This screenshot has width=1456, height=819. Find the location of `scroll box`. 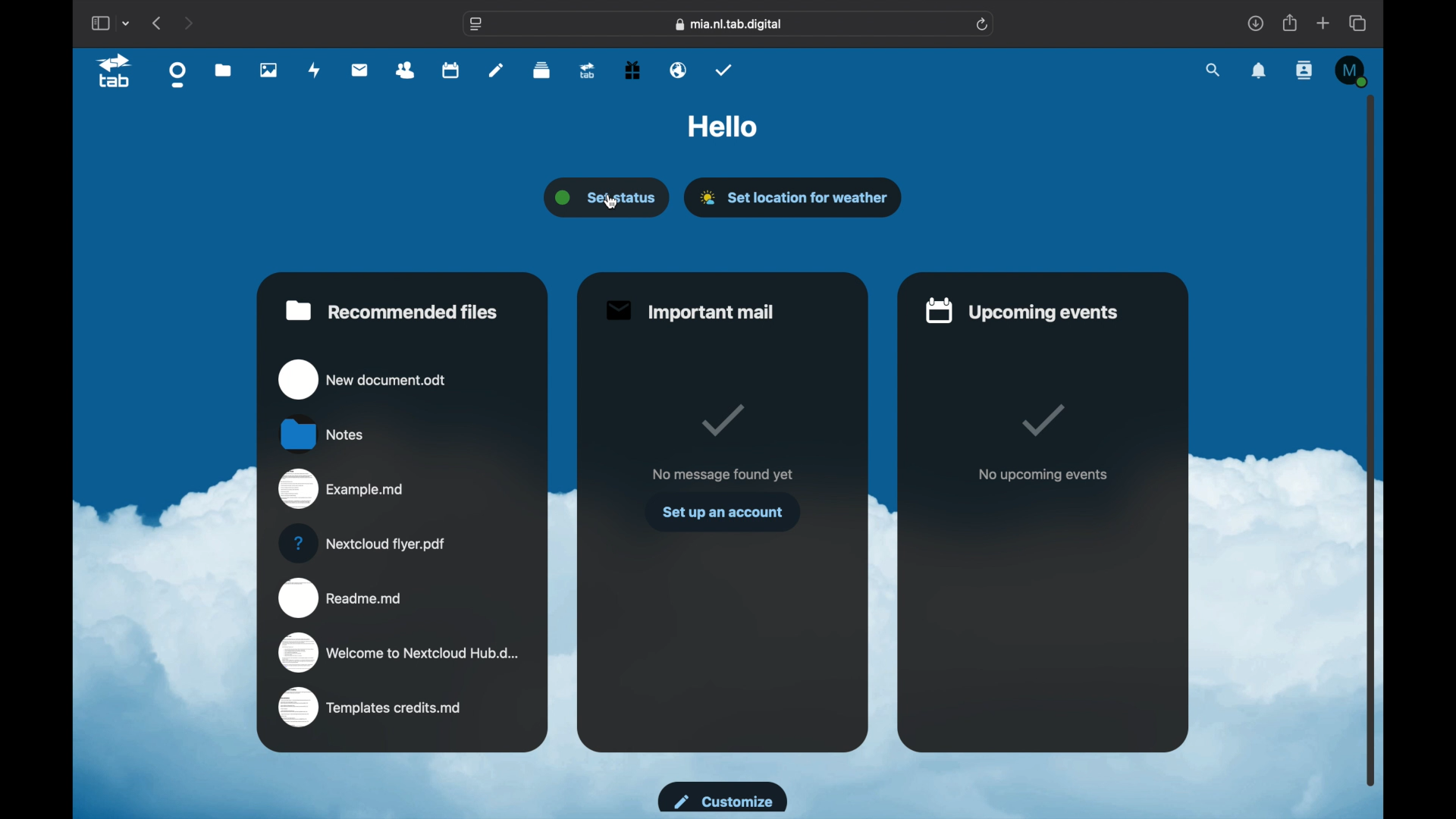

scroll box is located at coordinates (1371, 440).